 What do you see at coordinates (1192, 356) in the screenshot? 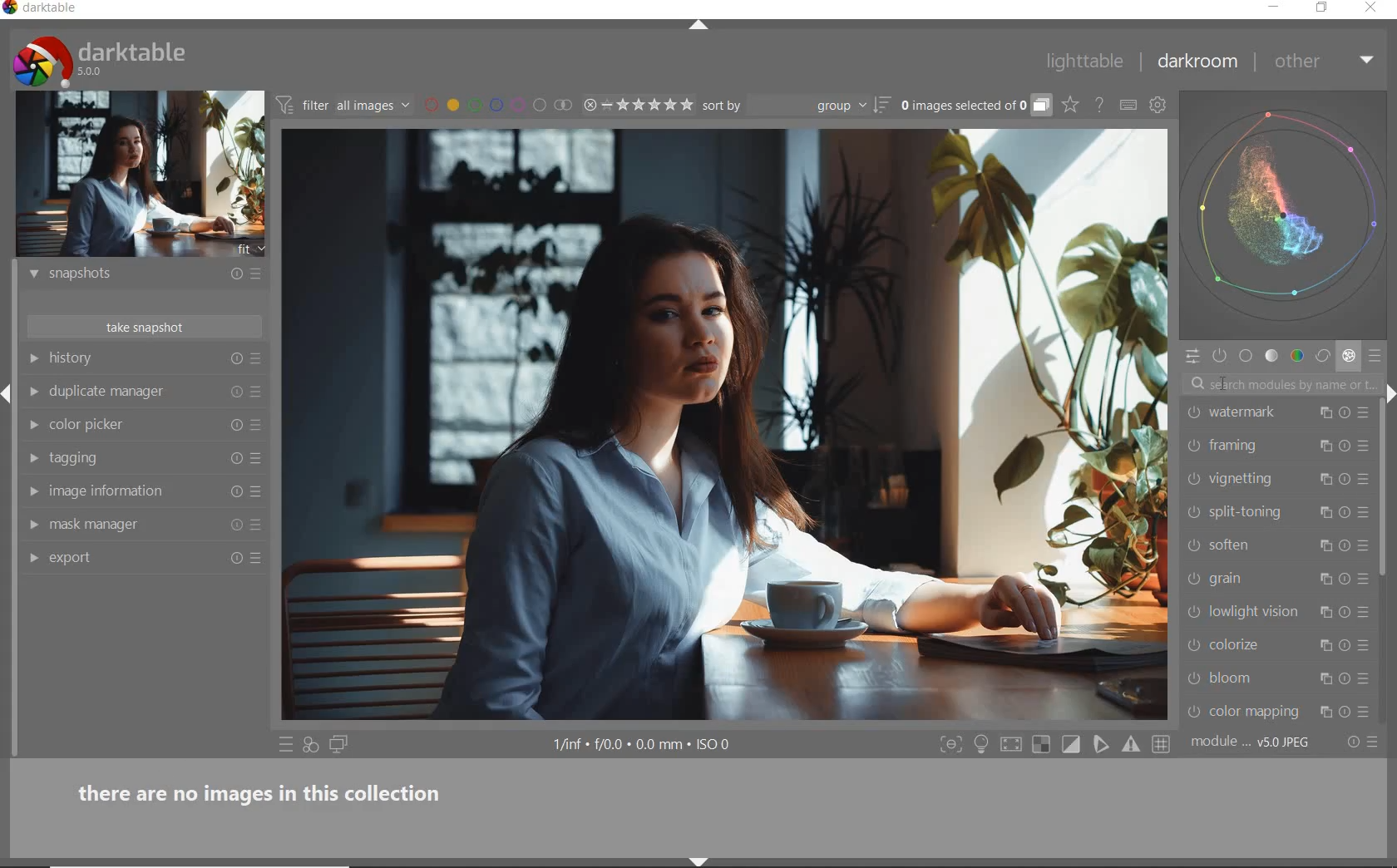
I see `quick access panel` at bounding box center [1192, 356].